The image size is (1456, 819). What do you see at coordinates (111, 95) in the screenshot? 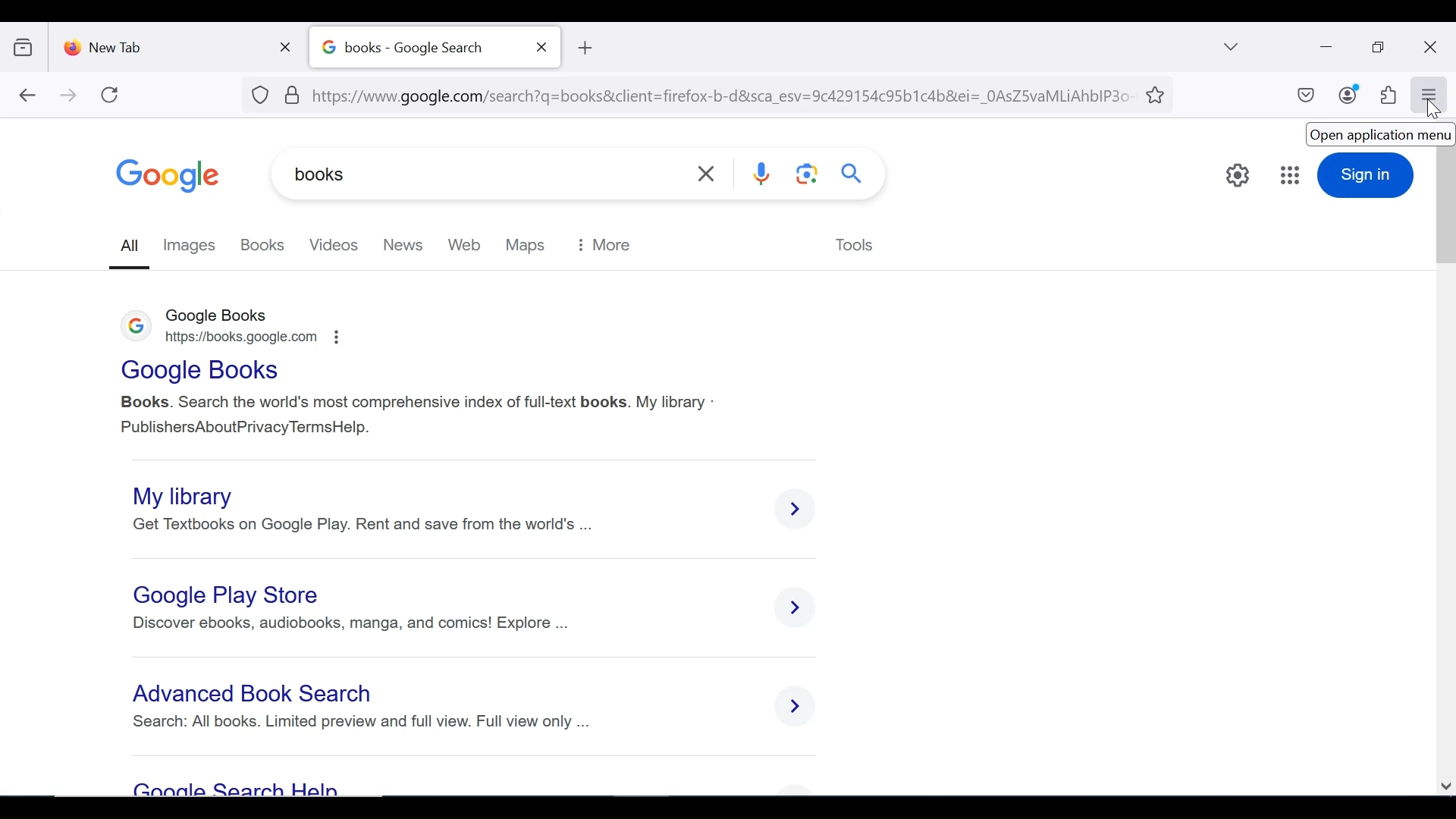
I see `refresh` at bounding box center [111, 95].